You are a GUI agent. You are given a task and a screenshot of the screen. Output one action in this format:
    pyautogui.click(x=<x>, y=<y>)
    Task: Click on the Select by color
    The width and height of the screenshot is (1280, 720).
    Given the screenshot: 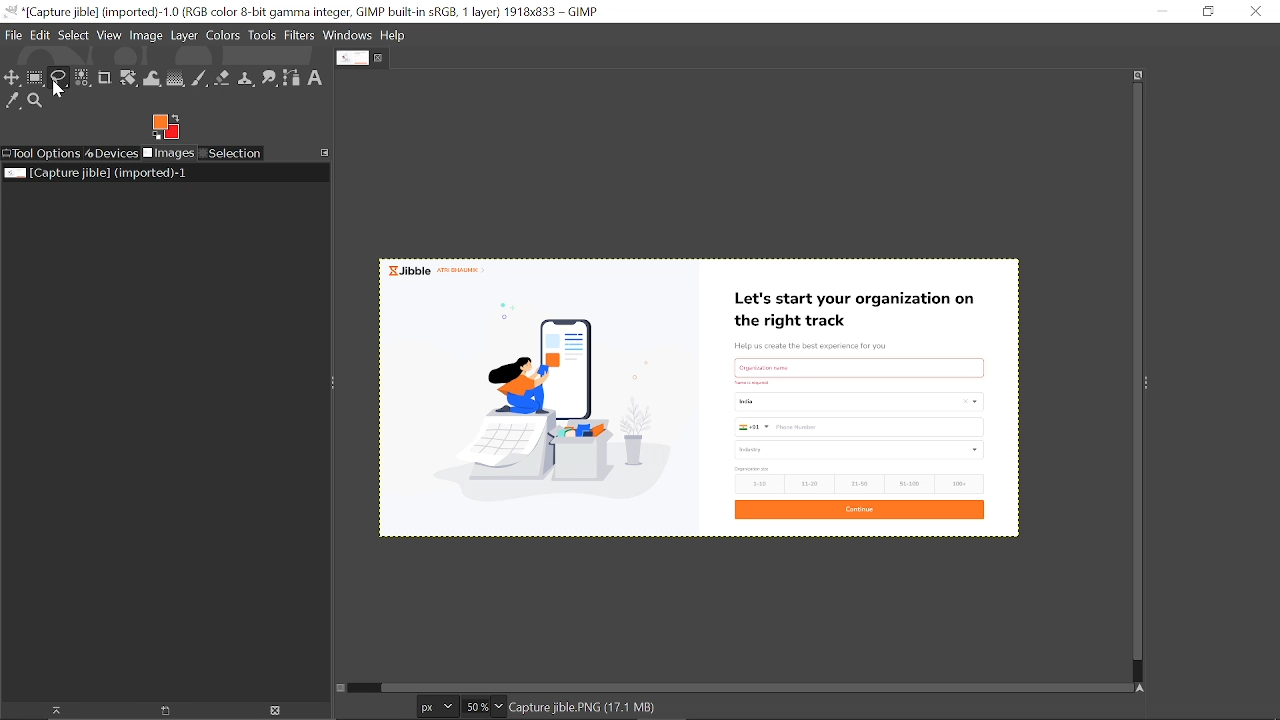 What is the action you would take?
    pyautogui.click(x=82, y=79)
    